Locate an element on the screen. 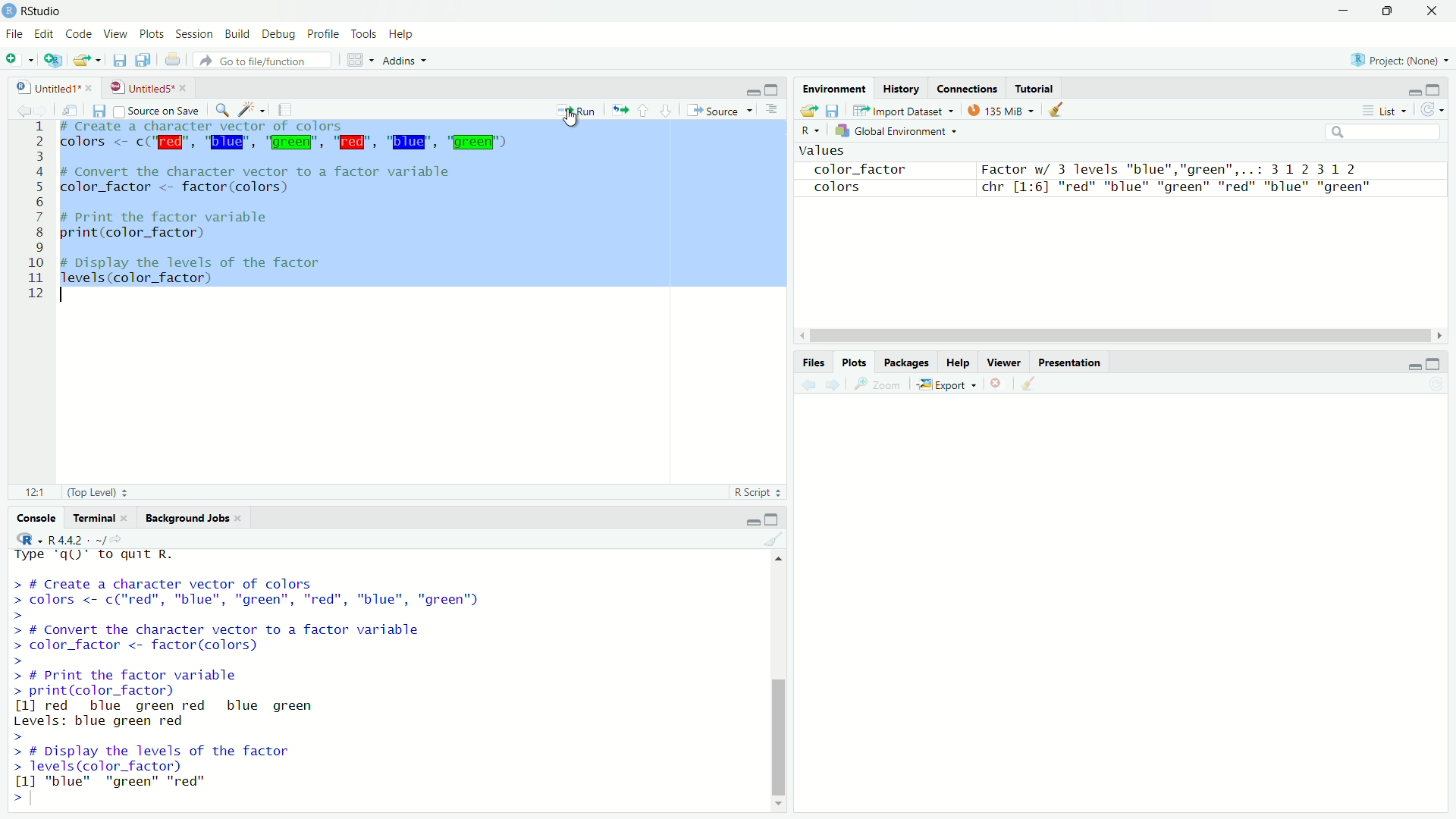  new file is located at coordinates (19, 59).